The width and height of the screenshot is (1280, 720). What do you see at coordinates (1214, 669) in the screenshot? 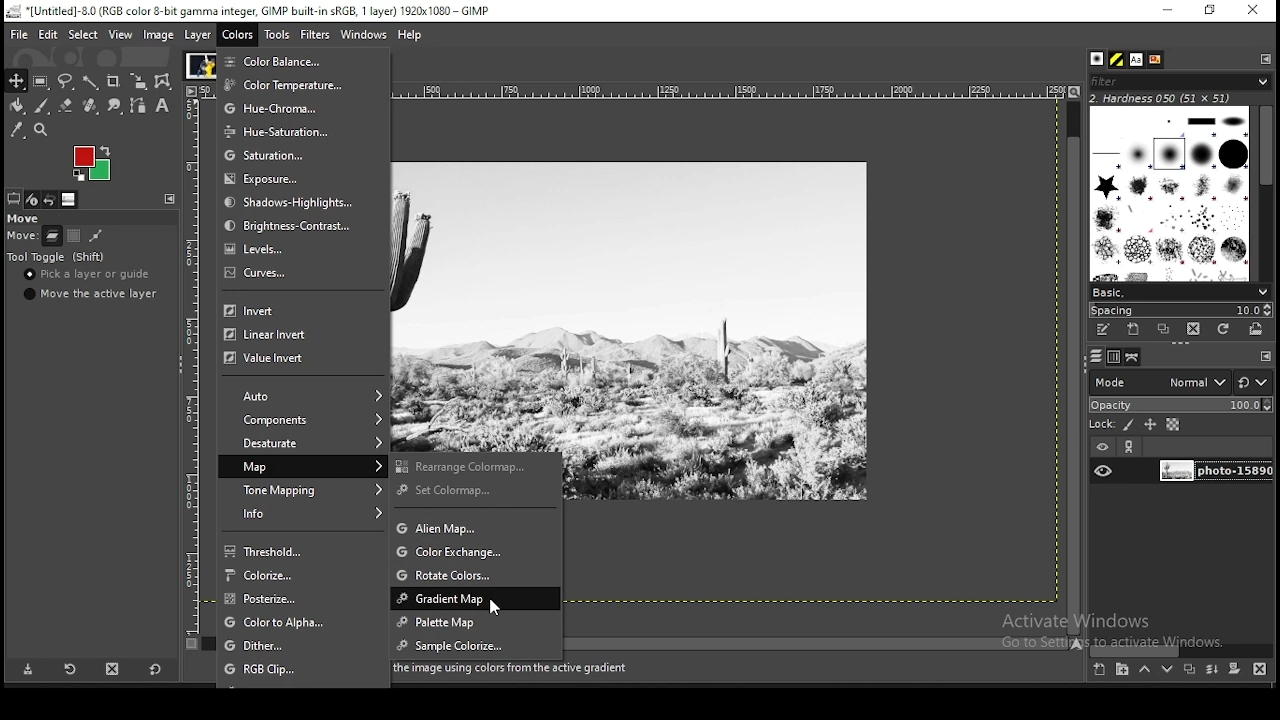
I see `merge layer` at bounding box center [1214, 669].